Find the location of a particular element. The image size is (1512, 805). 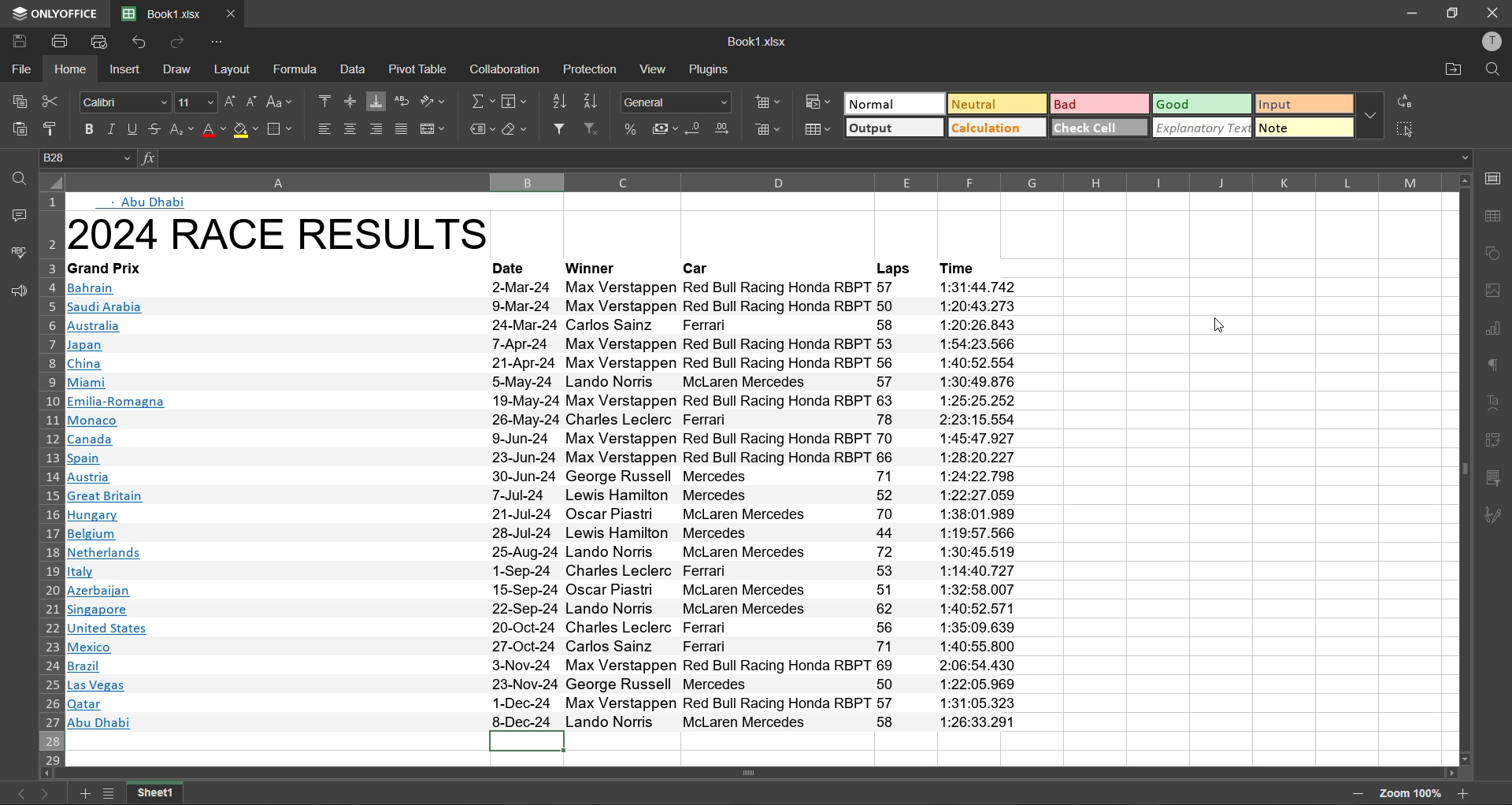

Japan [-Apr-24 Max verstappen Red pull Racing fonda Rbr 1 93 1:04:25.00606 is located at coordinates (547, 347).